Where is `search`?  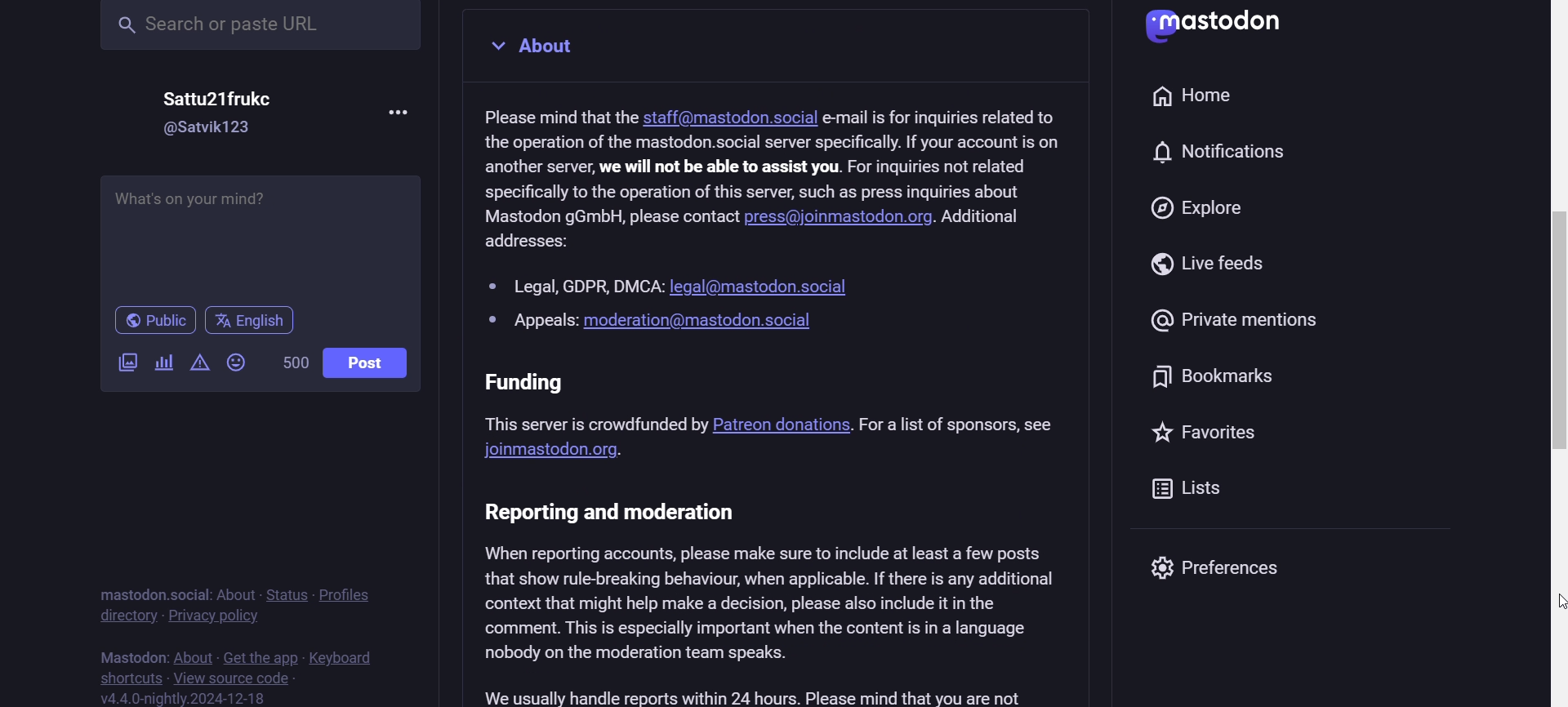 search is located at coordinates (264, 28).